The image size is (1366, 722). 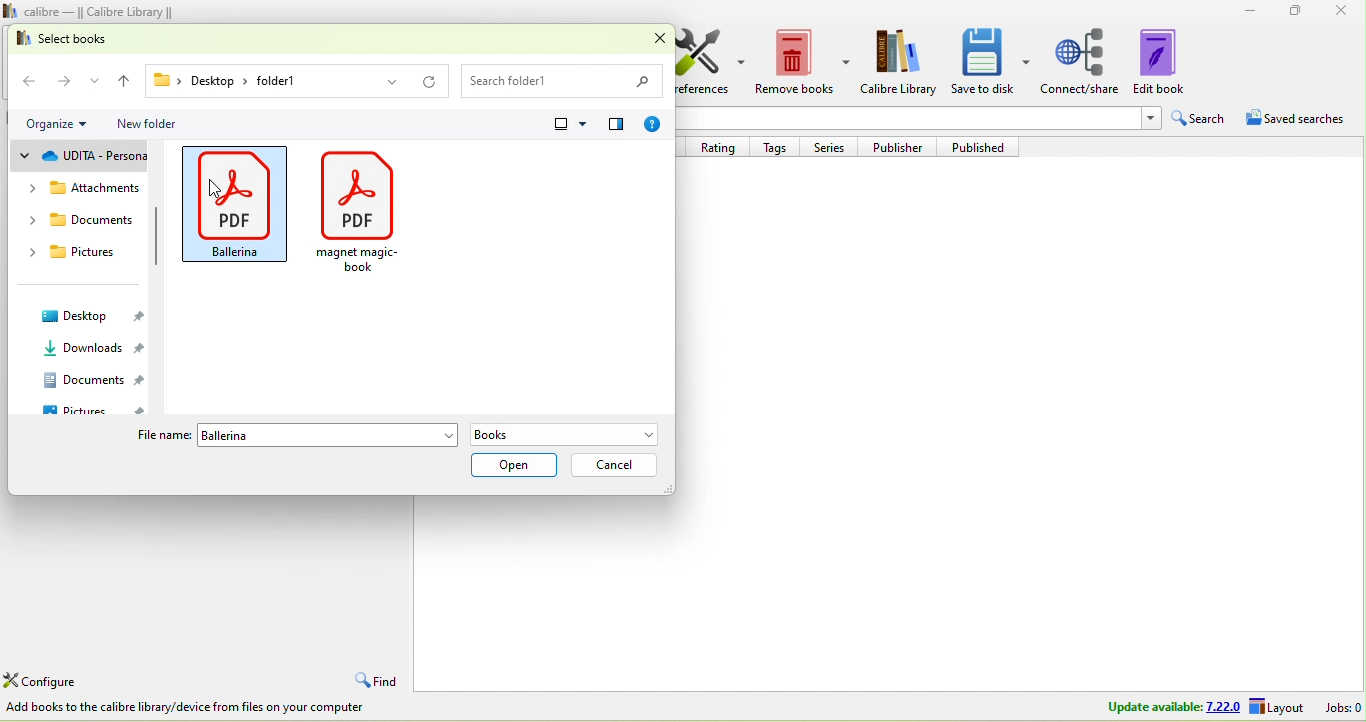 What do you see at coordinates (1340, 707) in the screenshot?
I see `jobs 0` at bounding box center [1340, 707].